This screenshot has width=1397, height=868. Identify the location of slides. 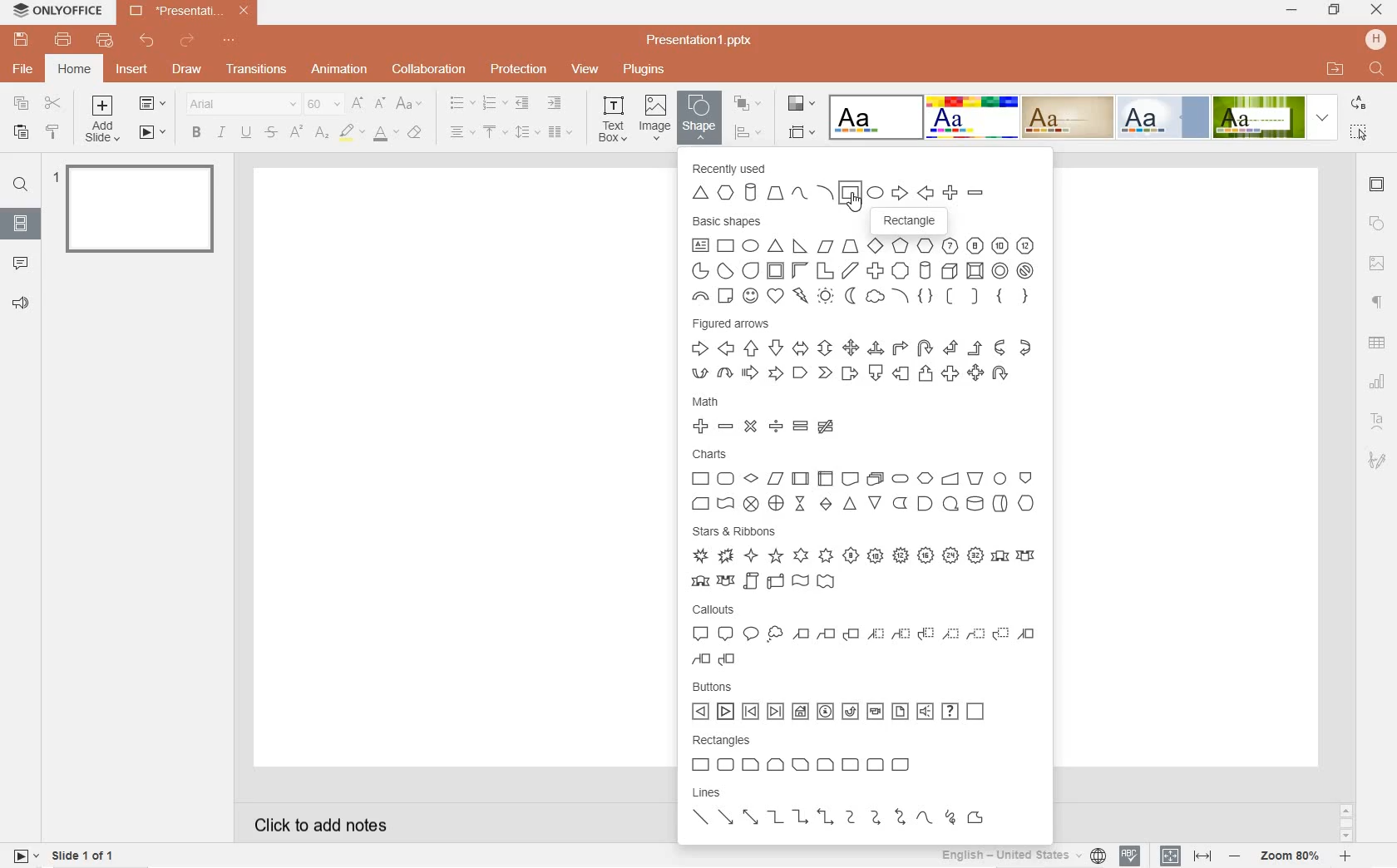
(20, 220).